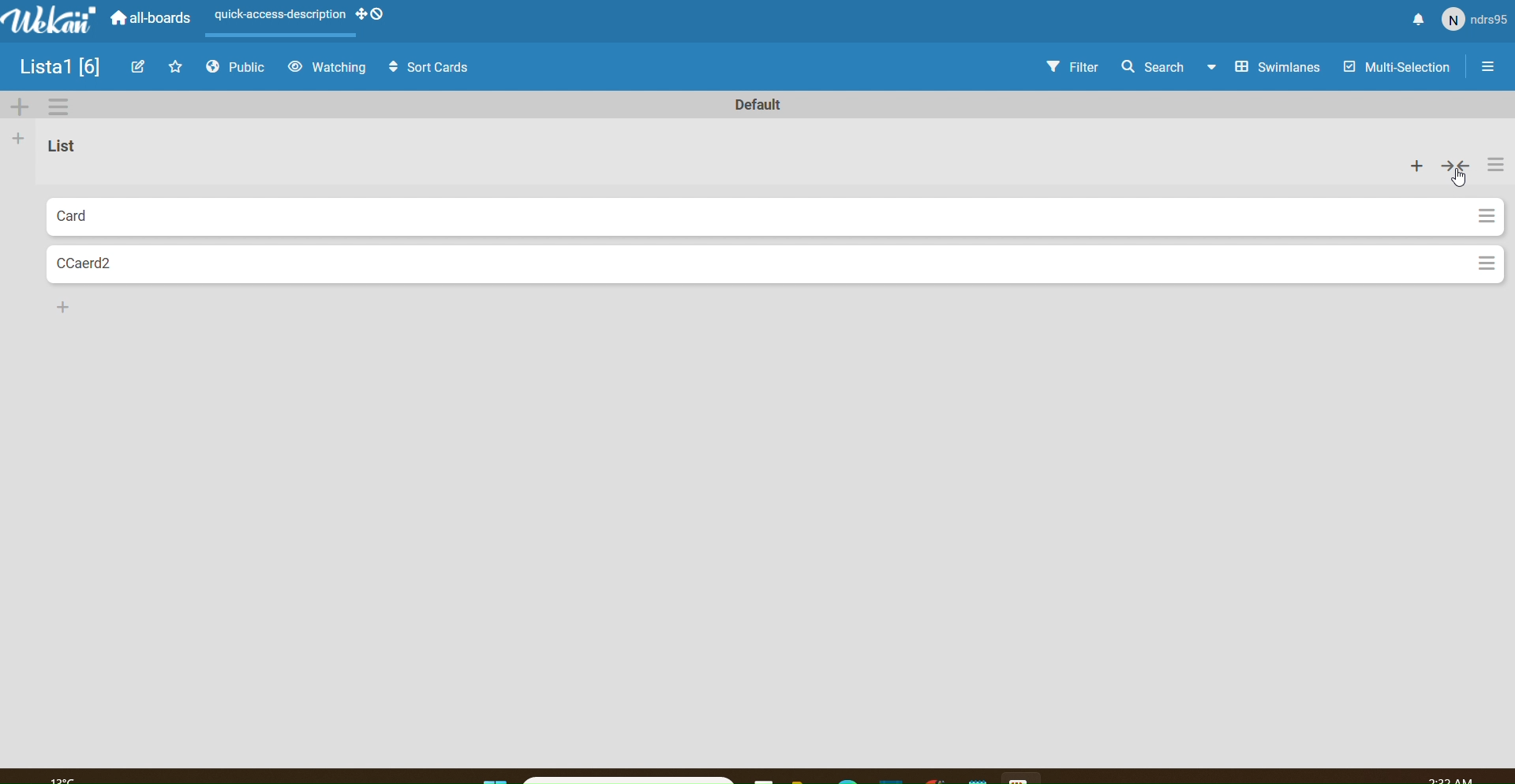 This screenshot has height=784, width=1515. Describe the element at coordinates (50, 21) in the screenshot. I see `WeKan` at that location.